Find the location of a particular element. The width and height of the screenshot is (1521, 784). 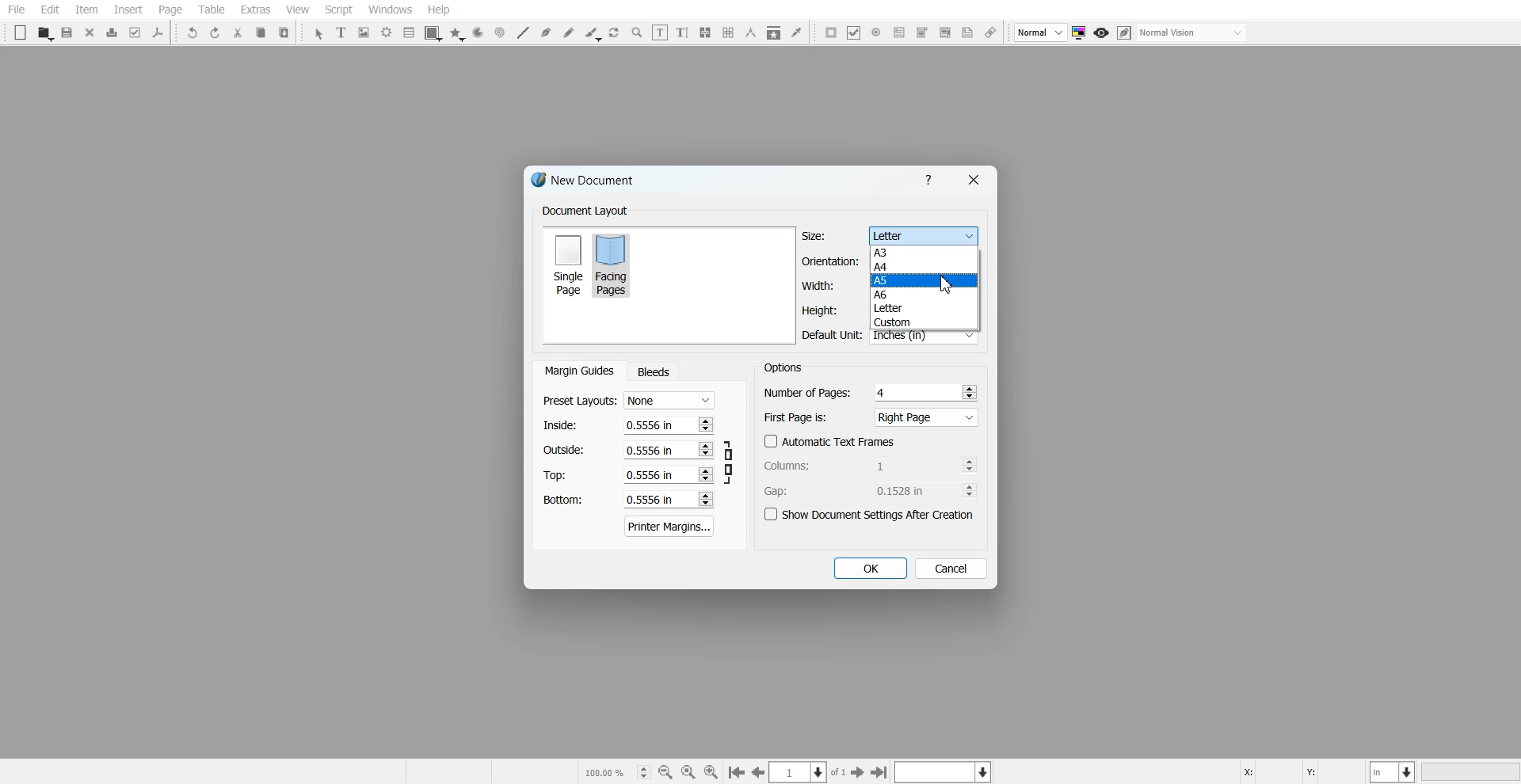

Preflight Verifier is located at coordinates (136, 32).